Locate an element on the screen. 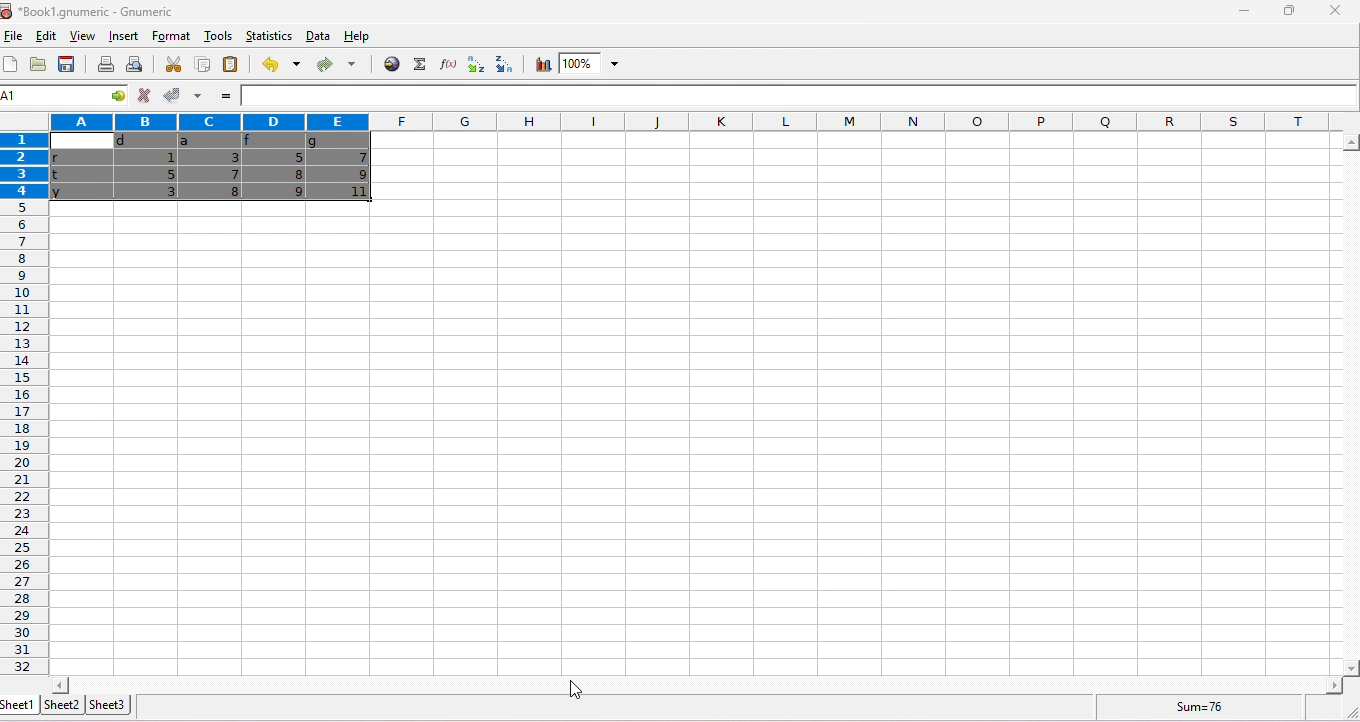  function wizard is located at coordinates (445, 64).